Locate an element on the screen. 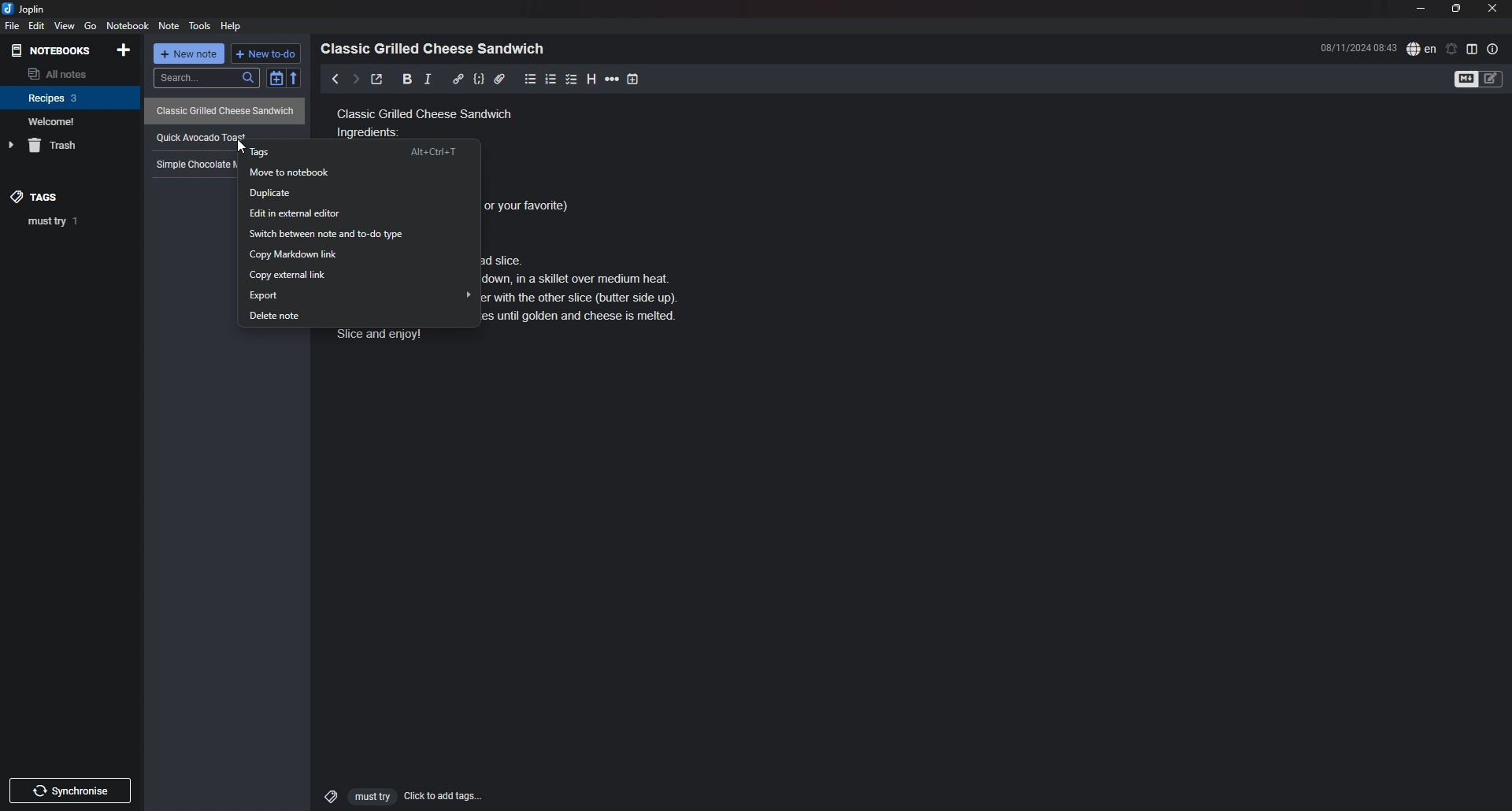  new note is located at coordinates (191, 55).